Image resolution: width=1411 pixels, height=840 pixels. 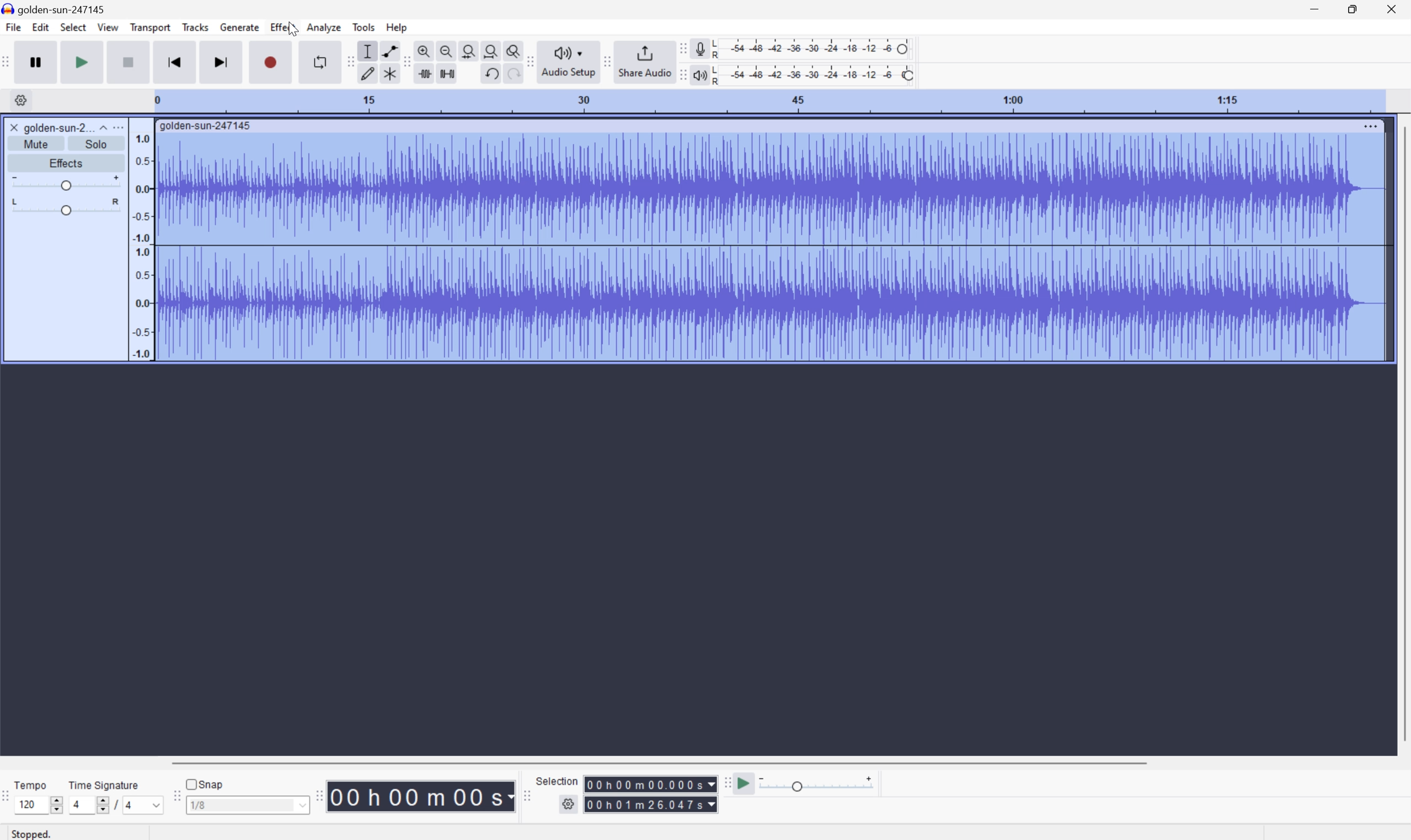 What do you see at coordinates (726, 784) in the screenshot?
I see `Audacity play at speed toolbar` at bounding box center [726, 784].